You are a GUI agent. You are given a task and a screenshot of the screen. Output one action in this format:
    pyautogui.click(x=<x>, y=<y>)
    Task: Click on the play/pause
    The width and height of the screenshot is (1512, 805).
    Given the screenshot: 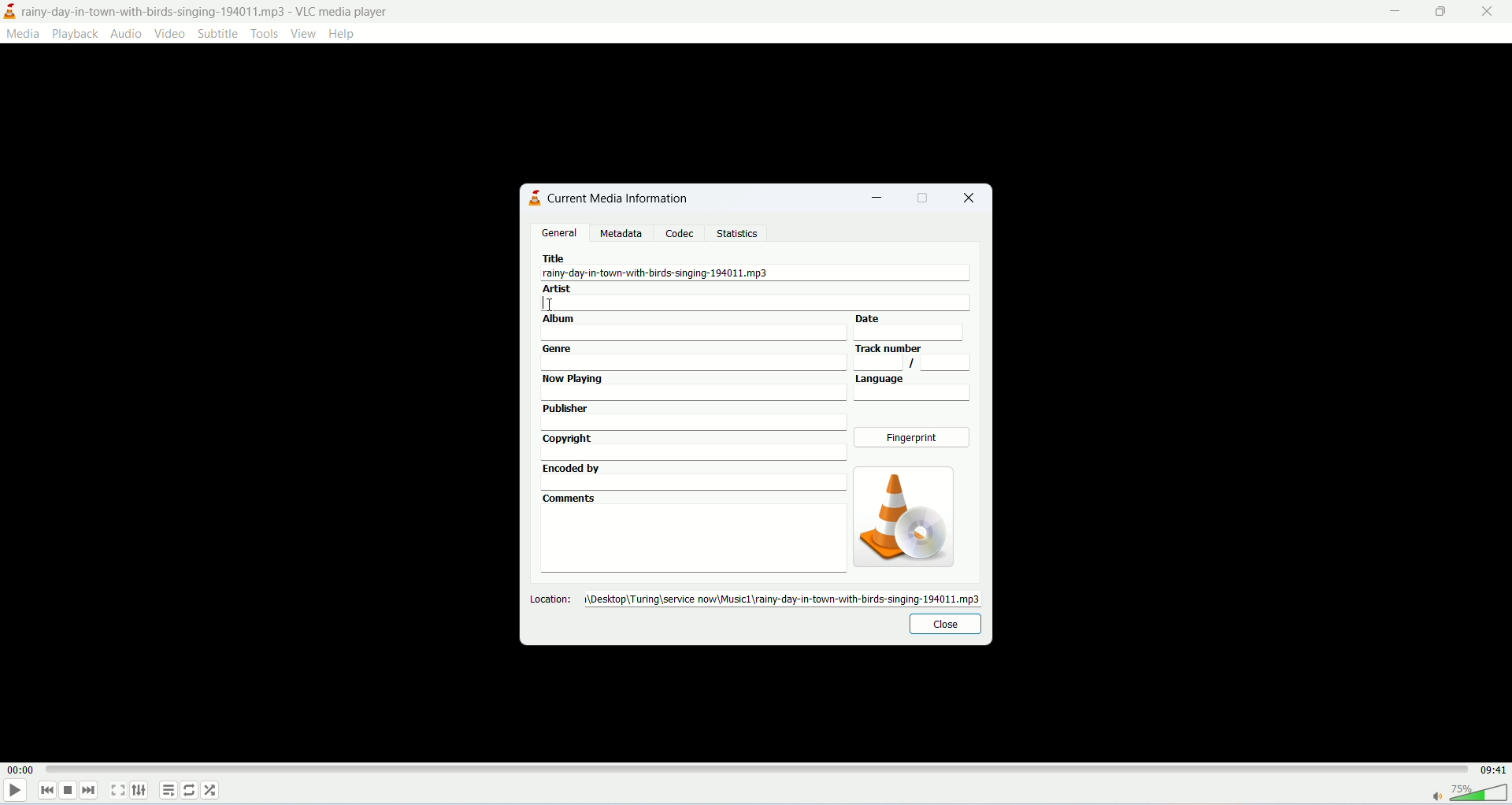 What is the action you would take?
    pyautogui.click(x=15, y=793)
    